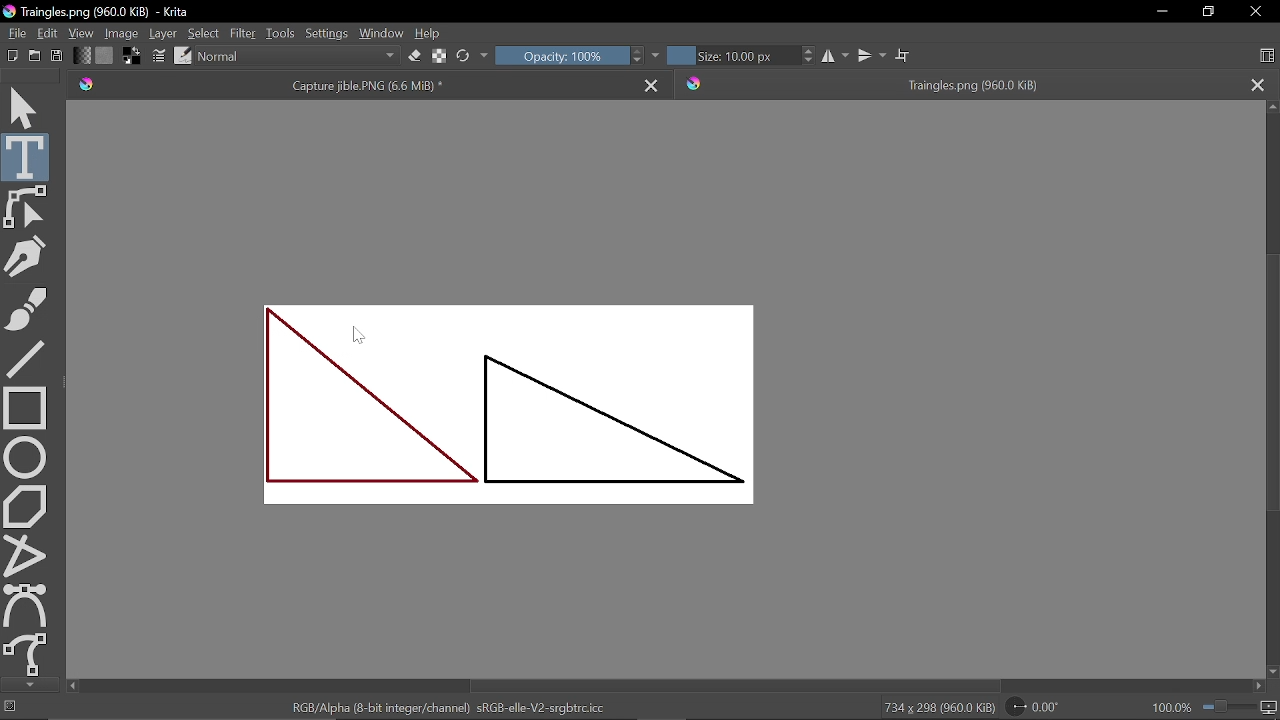 This screenshot has height=720, width=1280. Describe the element at coordinates (14, 33) in the screenshot. I see `File` at that location.